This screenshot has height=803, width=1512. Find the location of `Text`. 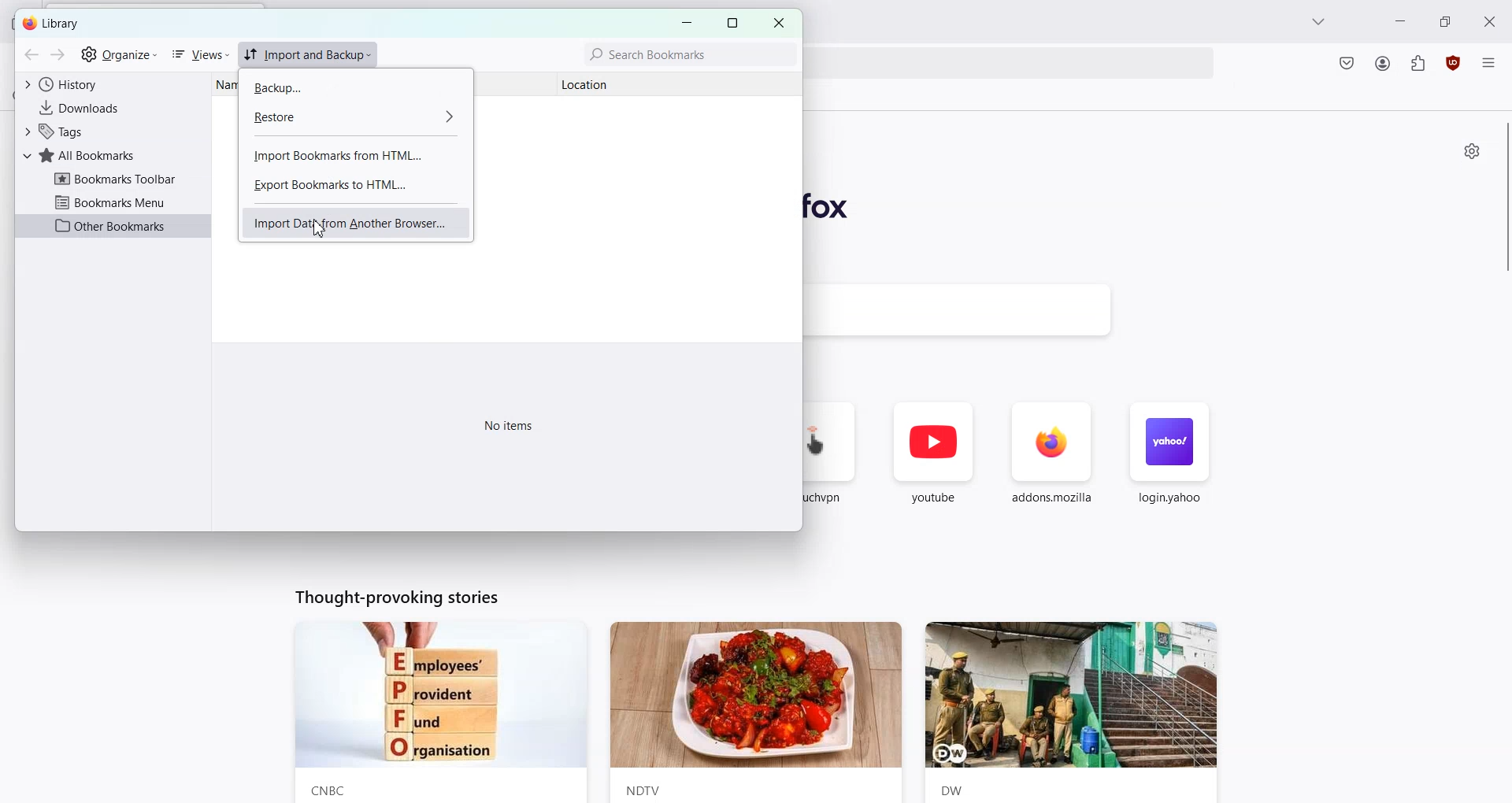

Text is located at coordinates (53, 24).